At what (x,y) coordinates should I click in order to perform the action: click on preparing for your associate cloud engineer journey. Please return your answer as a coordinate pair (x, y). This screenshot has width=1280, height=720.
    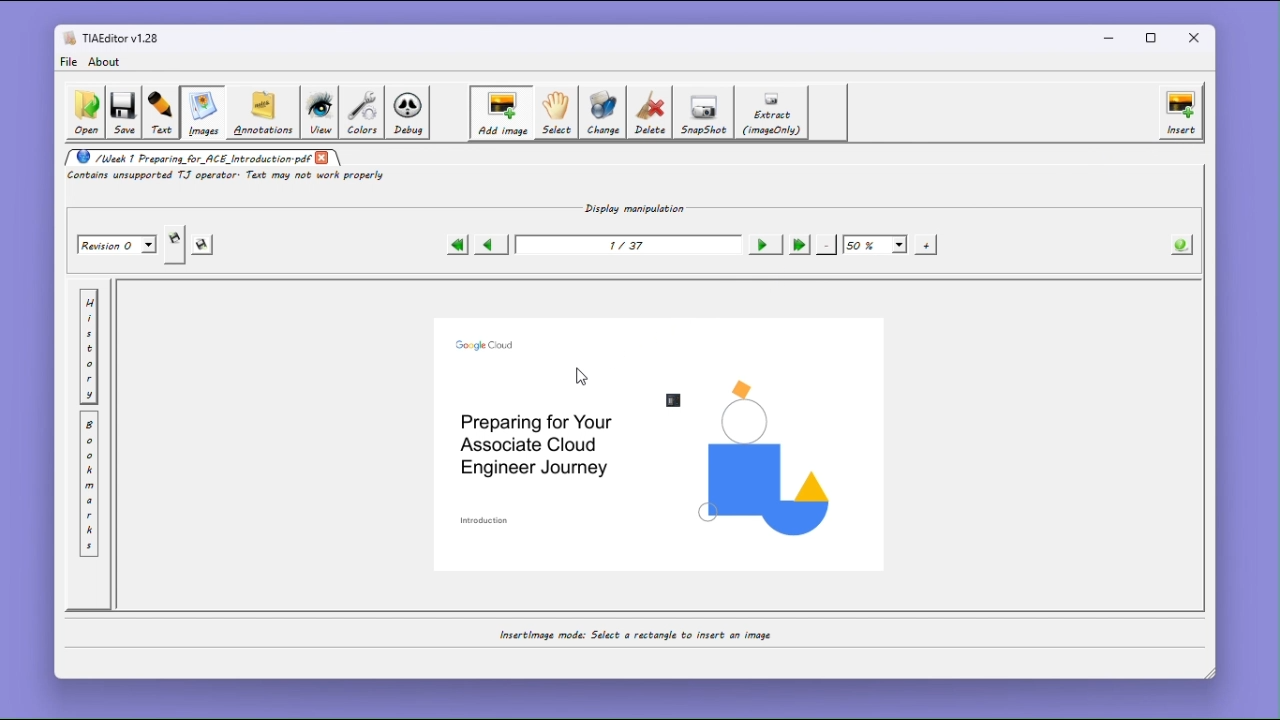
    Looking at the image, I should click on (535, 445).